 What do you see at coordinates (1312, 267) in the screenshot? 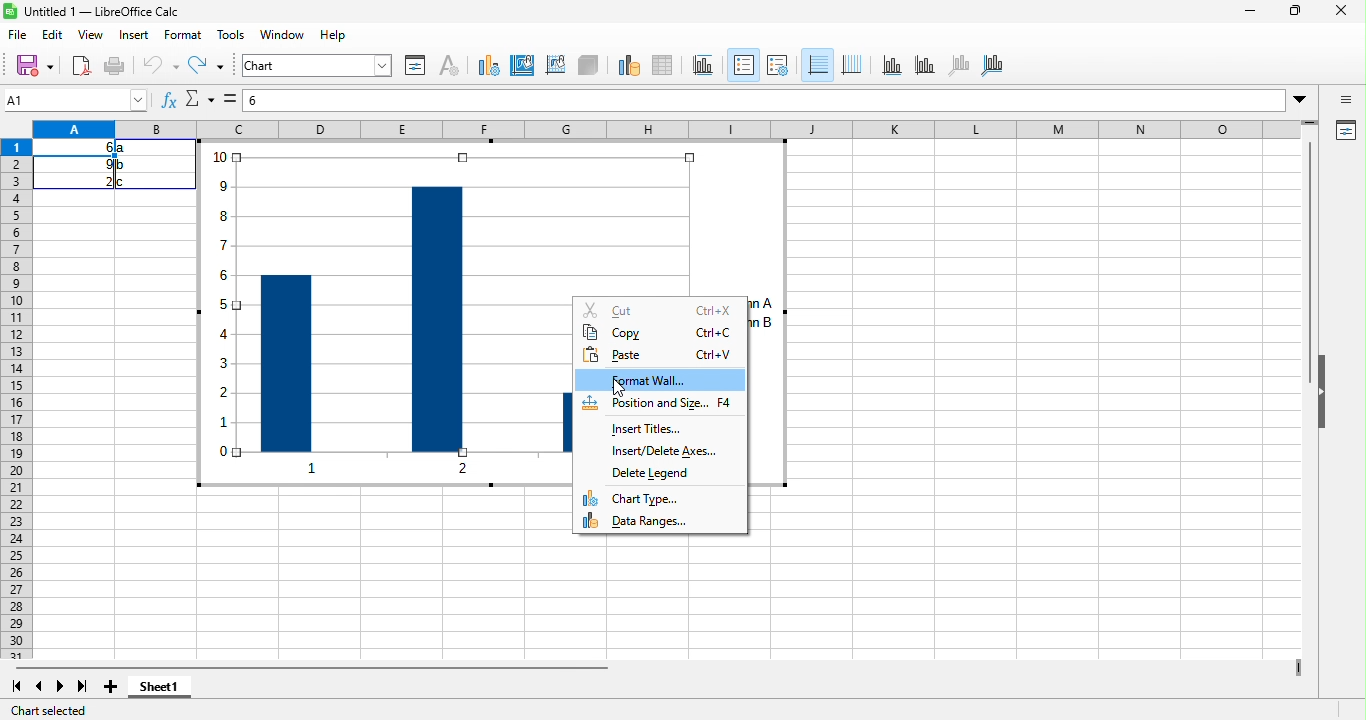
I see `vertical scroll bar` at bounding box center [1312, 267].